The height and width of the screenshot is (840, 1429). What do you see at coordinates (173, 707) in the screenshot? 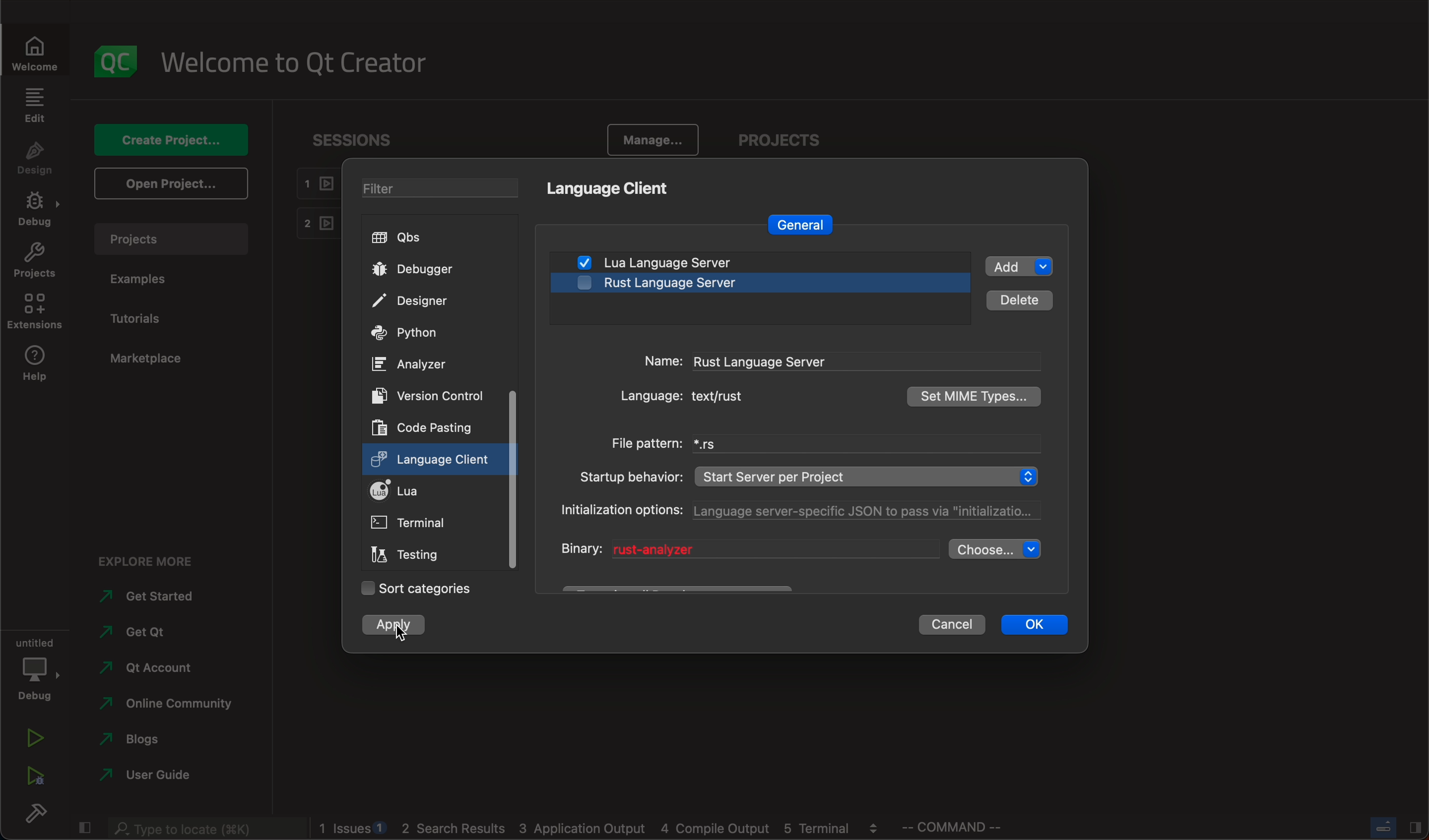
I see `community` at bounding box center [173, 707].